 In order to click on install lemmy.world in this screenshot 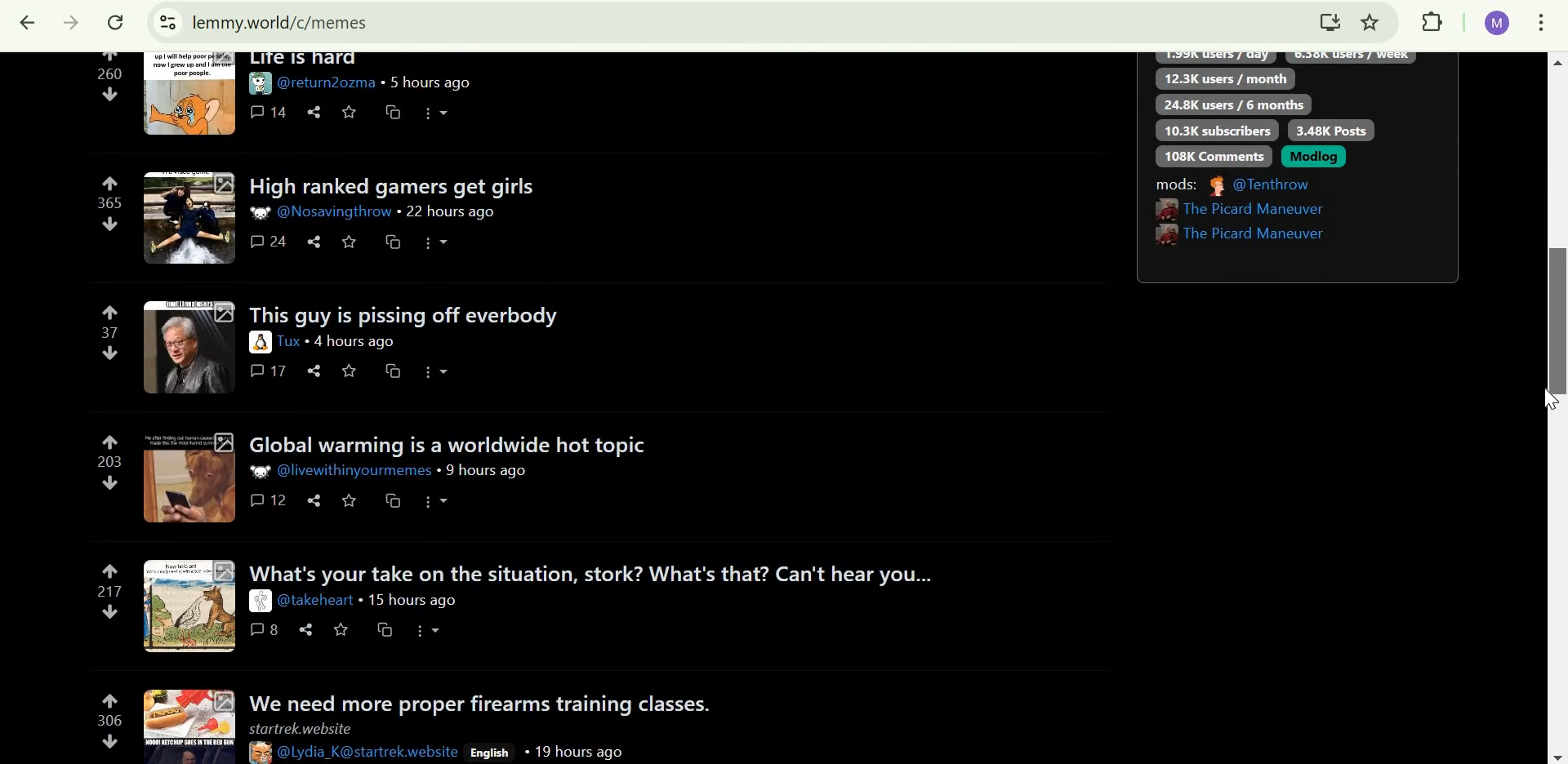, I will do `click(1330, 22)`.